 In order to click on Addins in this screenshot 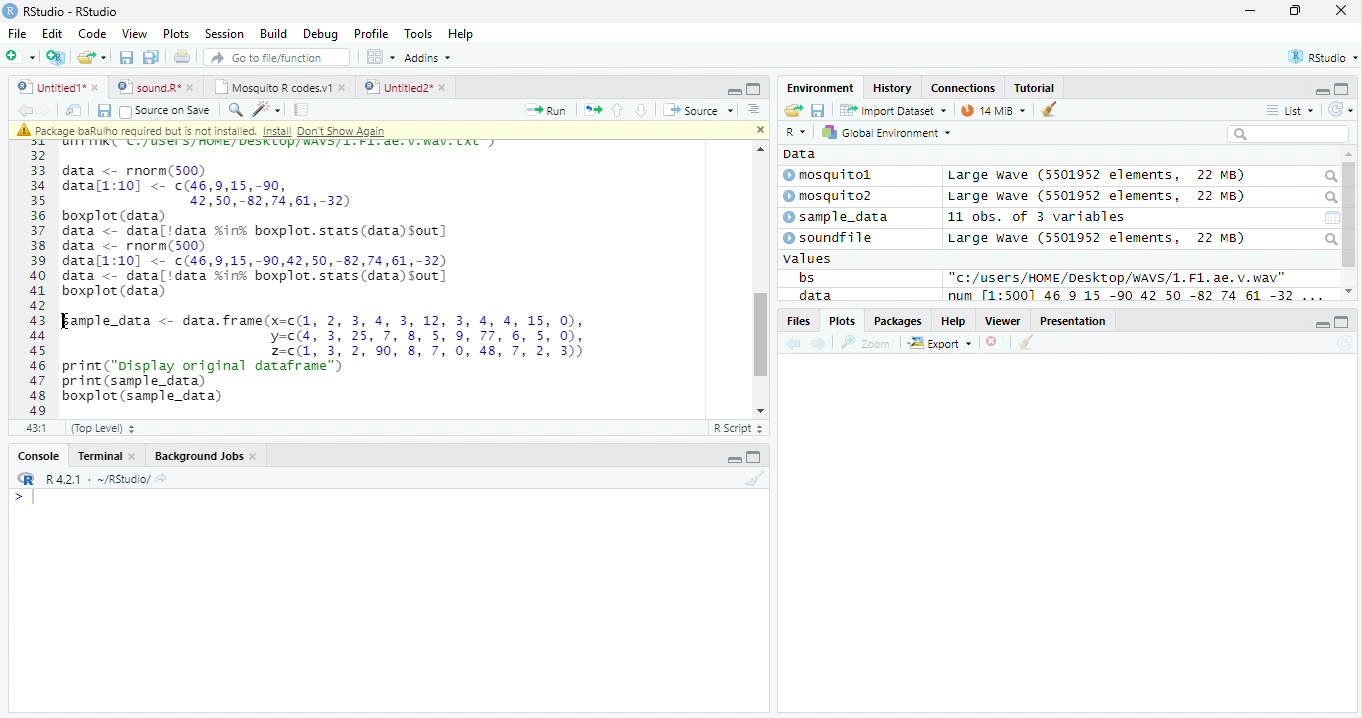, I will do `click(430, 57)`.